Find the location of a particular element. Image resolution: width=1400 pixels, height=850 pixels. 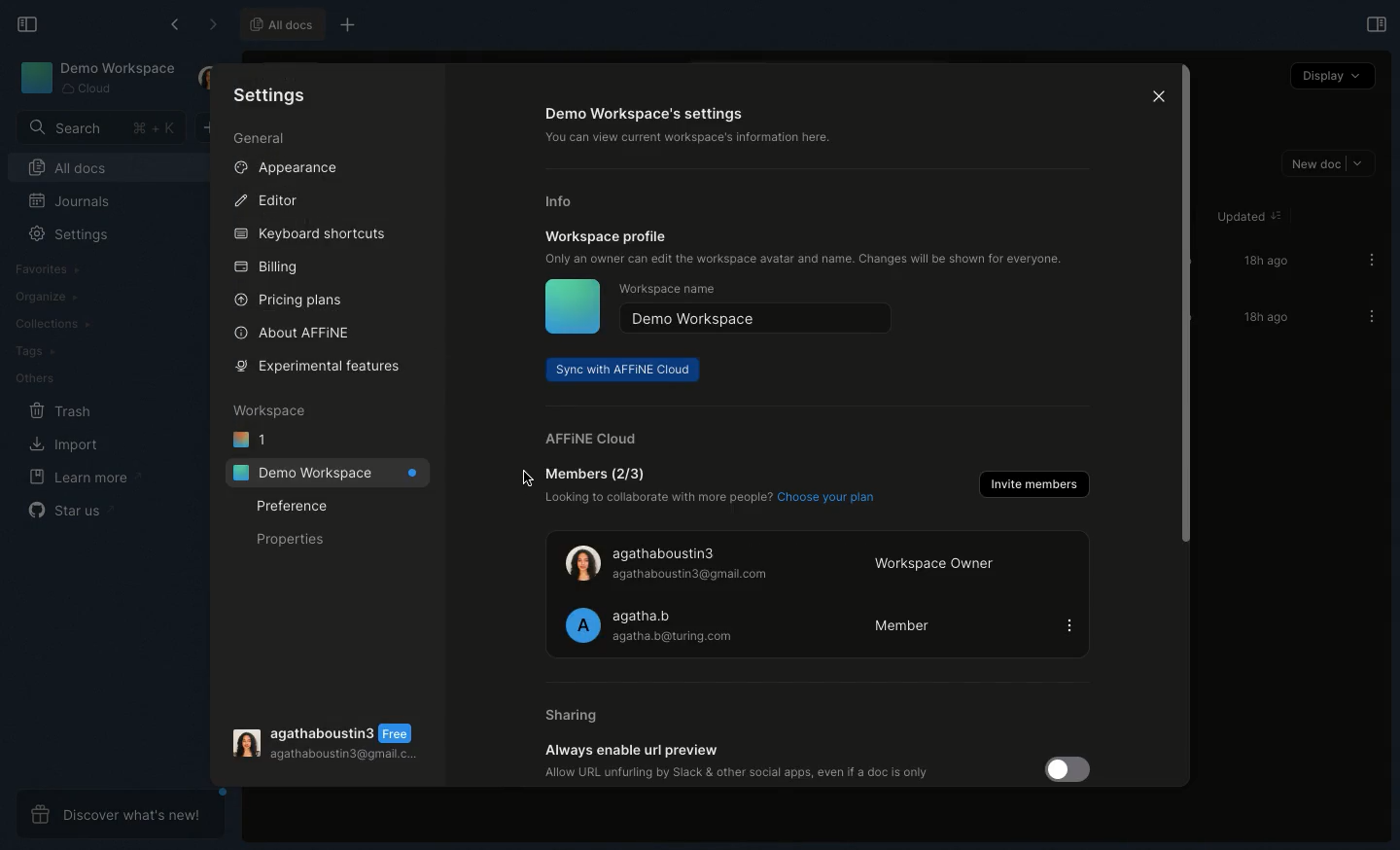

Others is located at coordinates (32, 378).